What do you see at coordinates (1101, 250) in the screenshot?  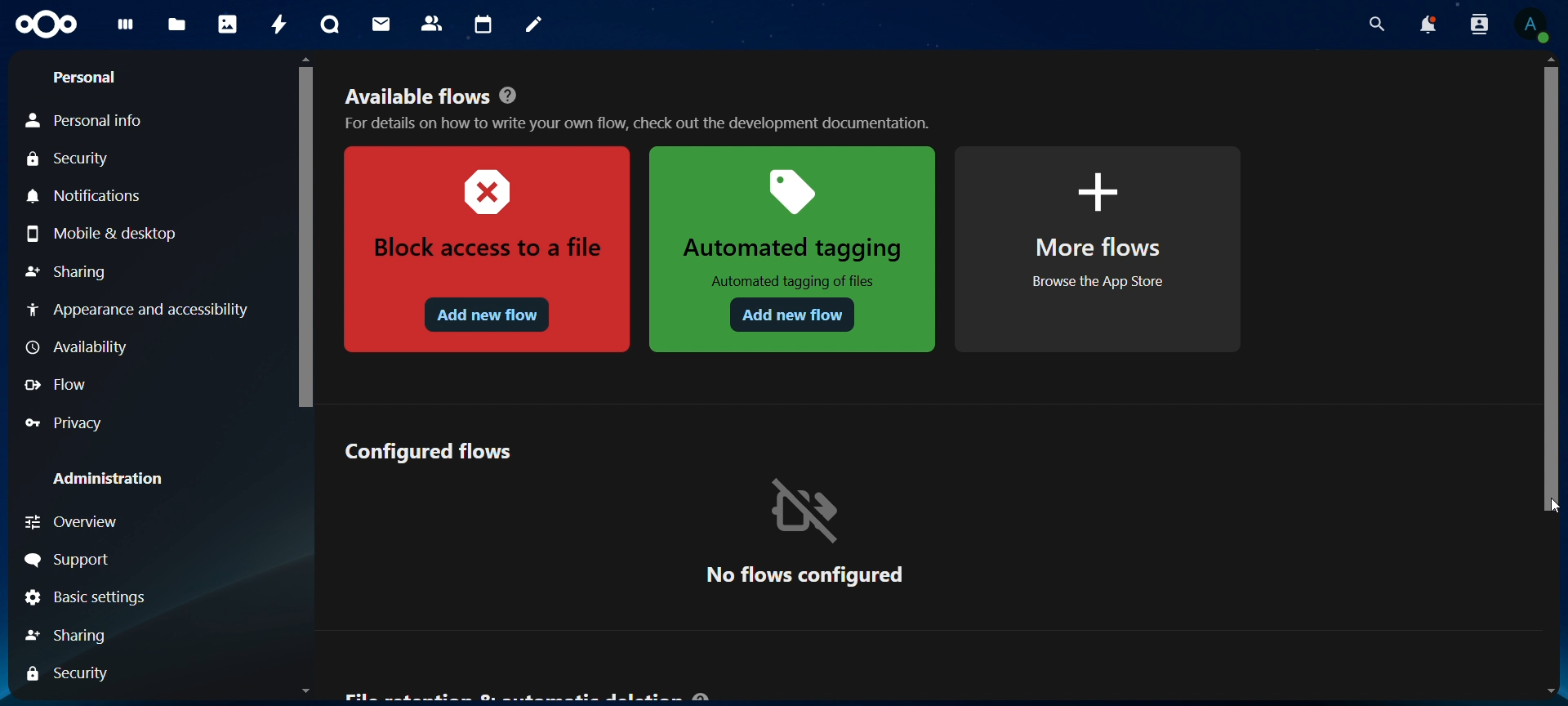 I see `add more flows` at bounding box center [1101, 250].